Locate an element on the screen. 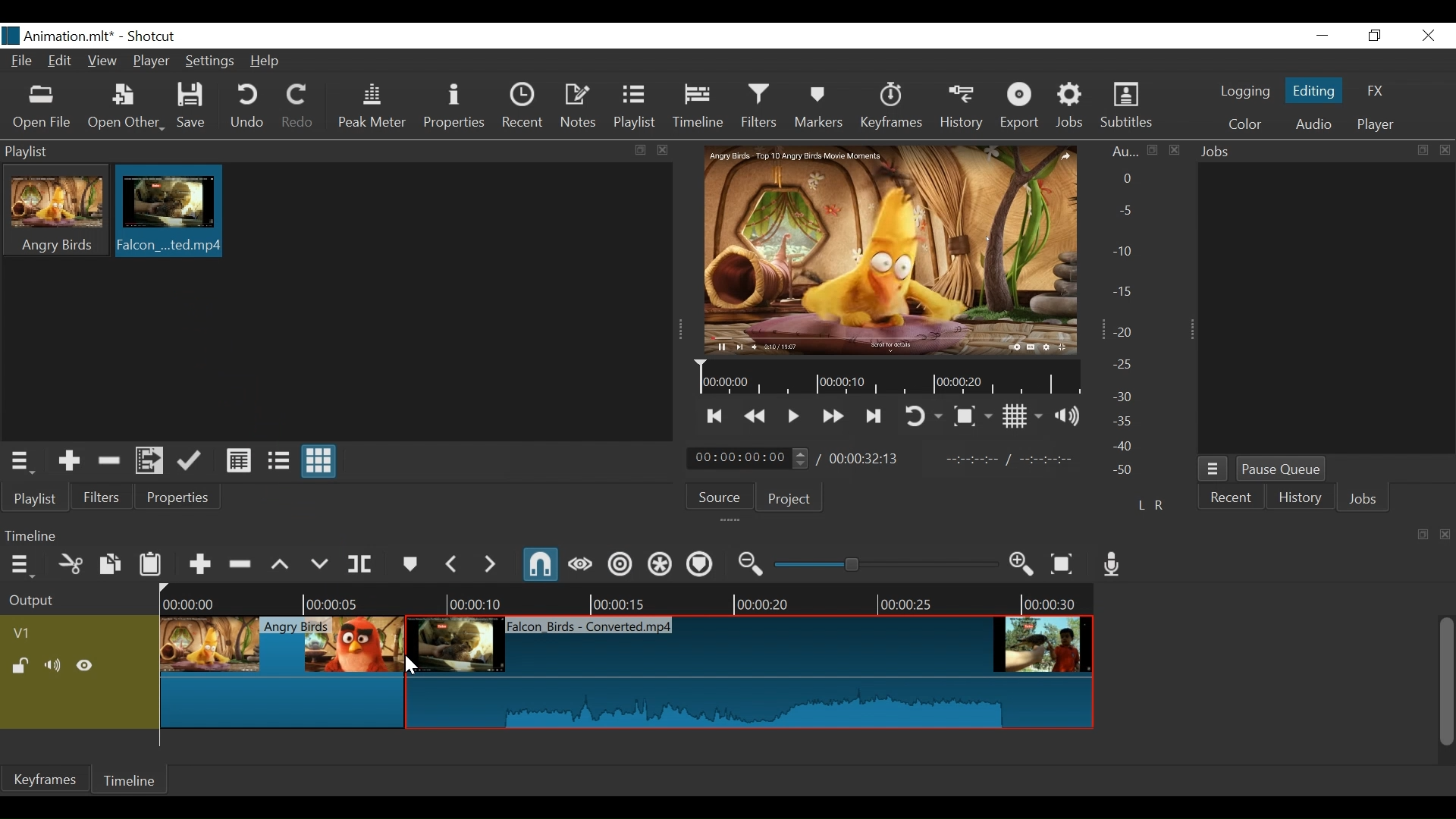  Zoom timeline in is located at coordinates (1022, 566).